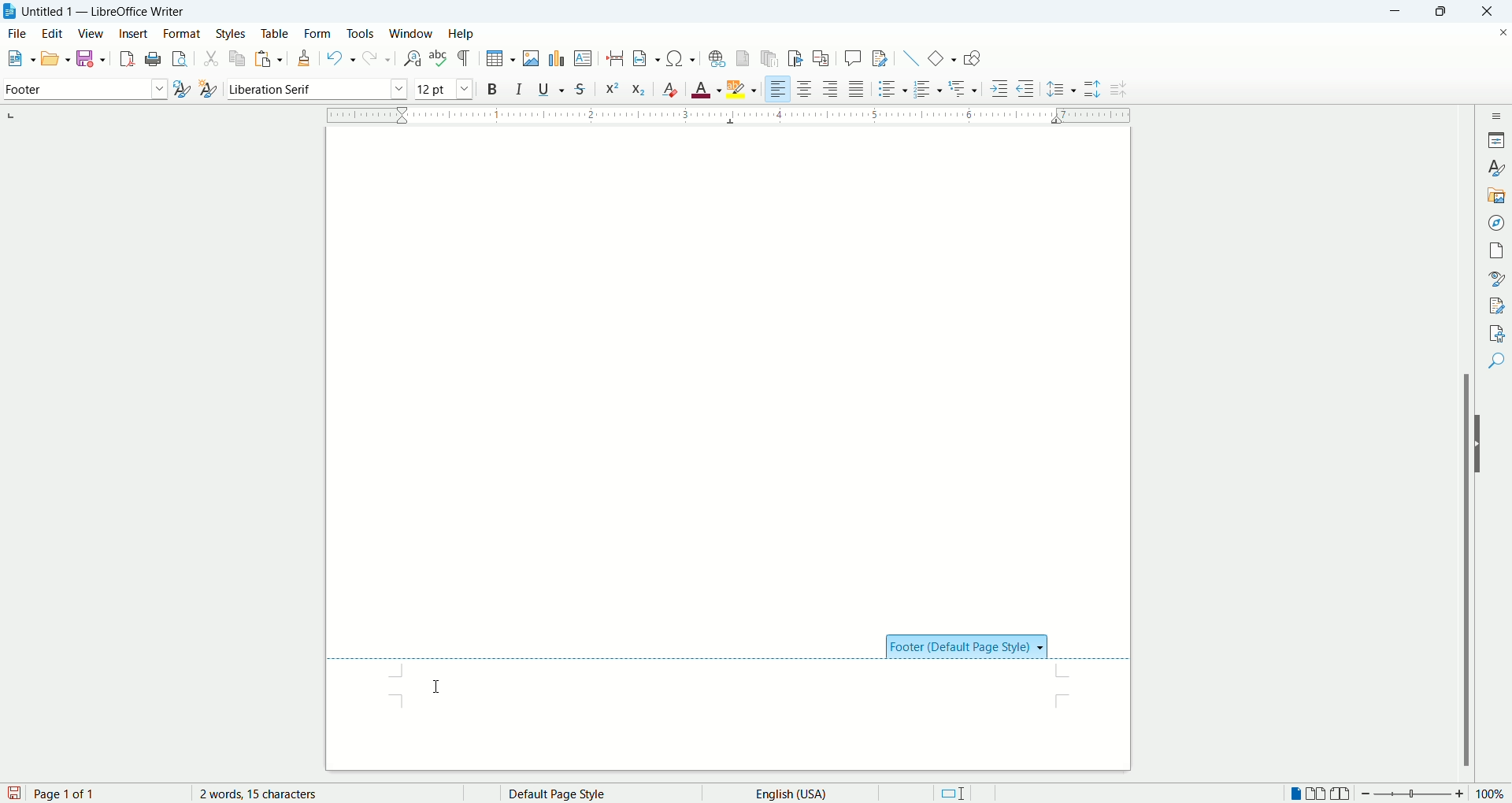 The image size is (1512, 803). Describe the element at coordinates (207, 89) in the screenshot. I see `new style` at that location.